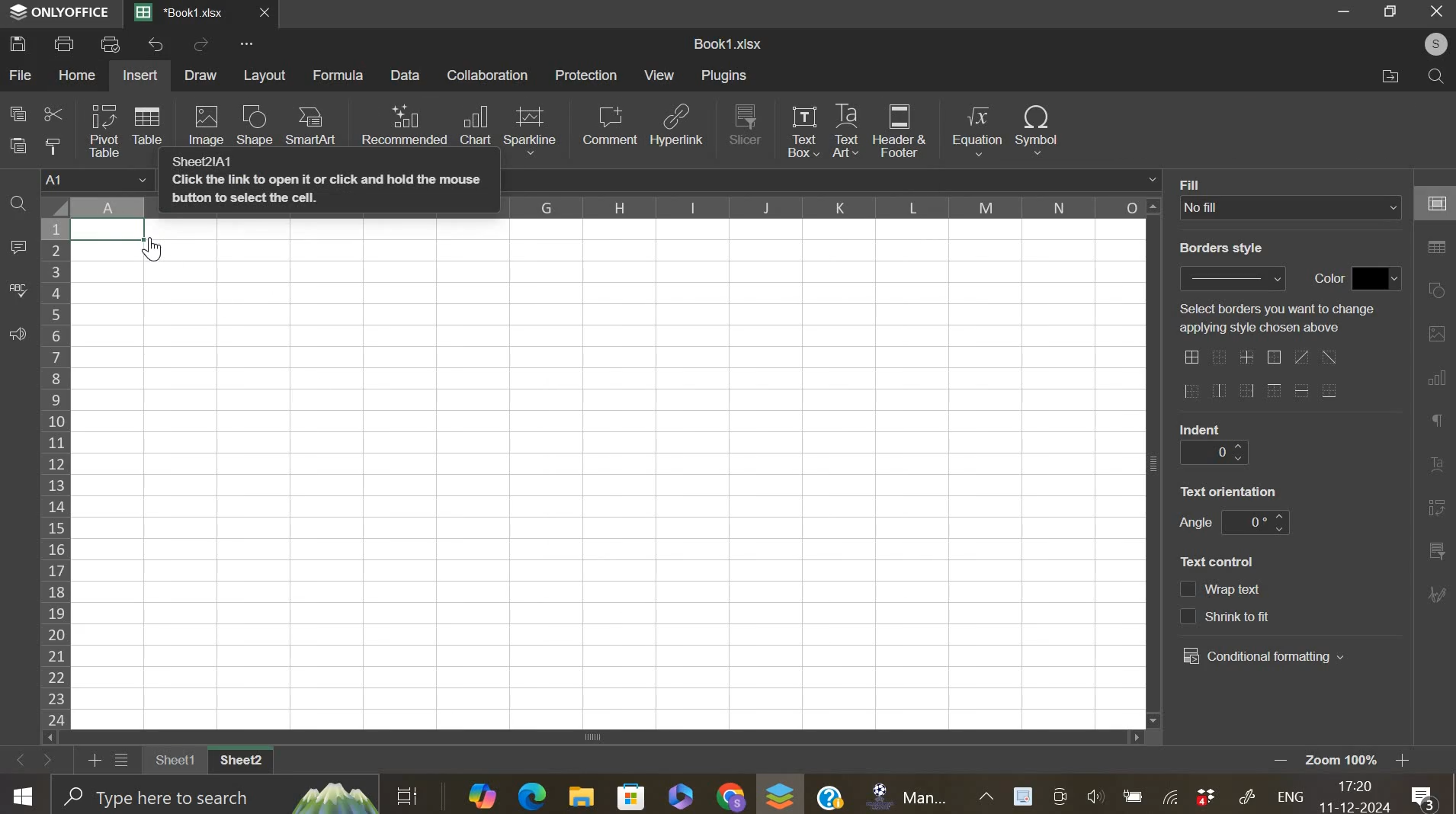  I want to click on data, so click(118, 232).